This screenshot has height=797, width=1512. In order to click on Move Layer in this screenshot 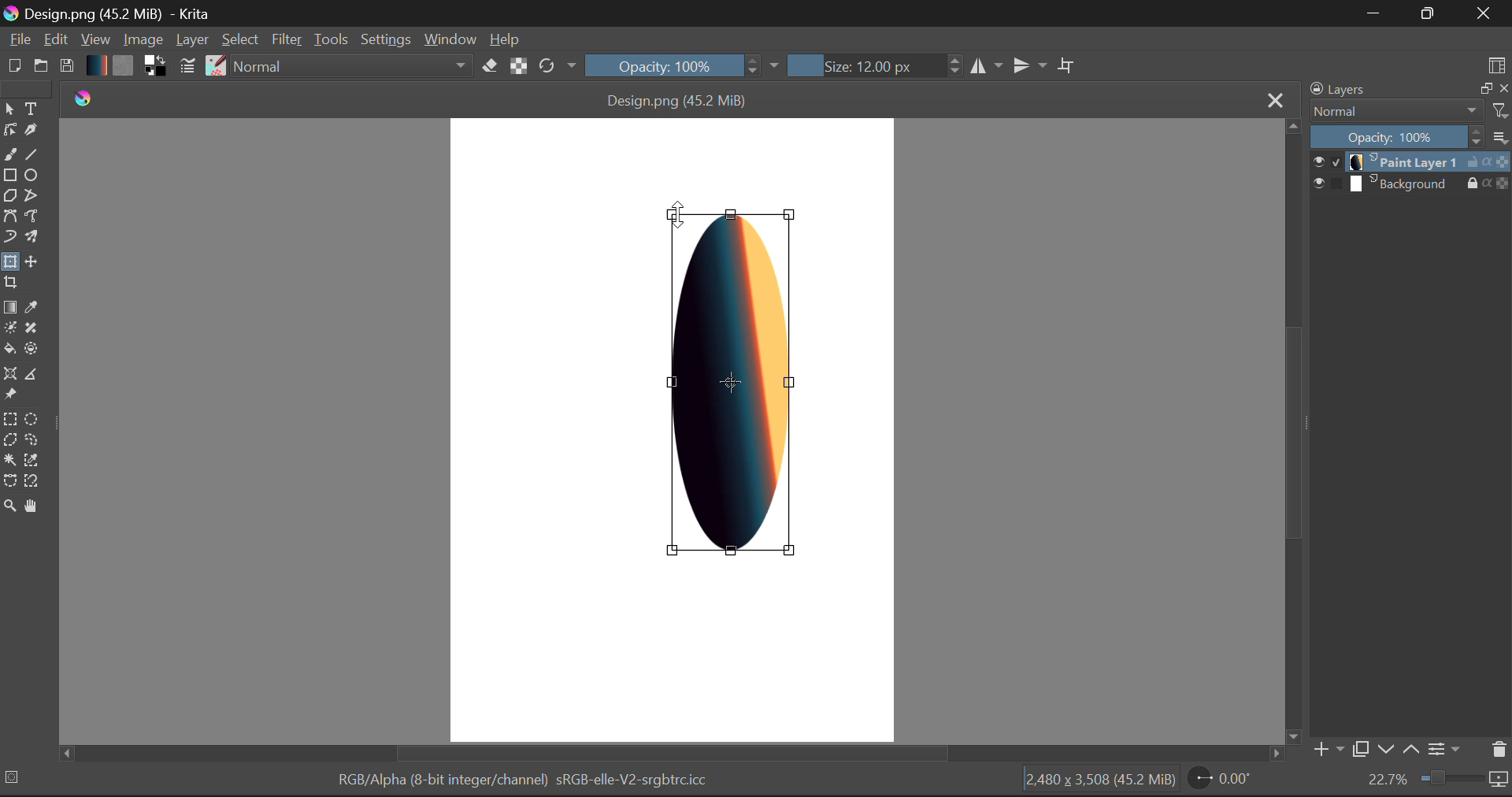, I will do `click(30, 261)`.